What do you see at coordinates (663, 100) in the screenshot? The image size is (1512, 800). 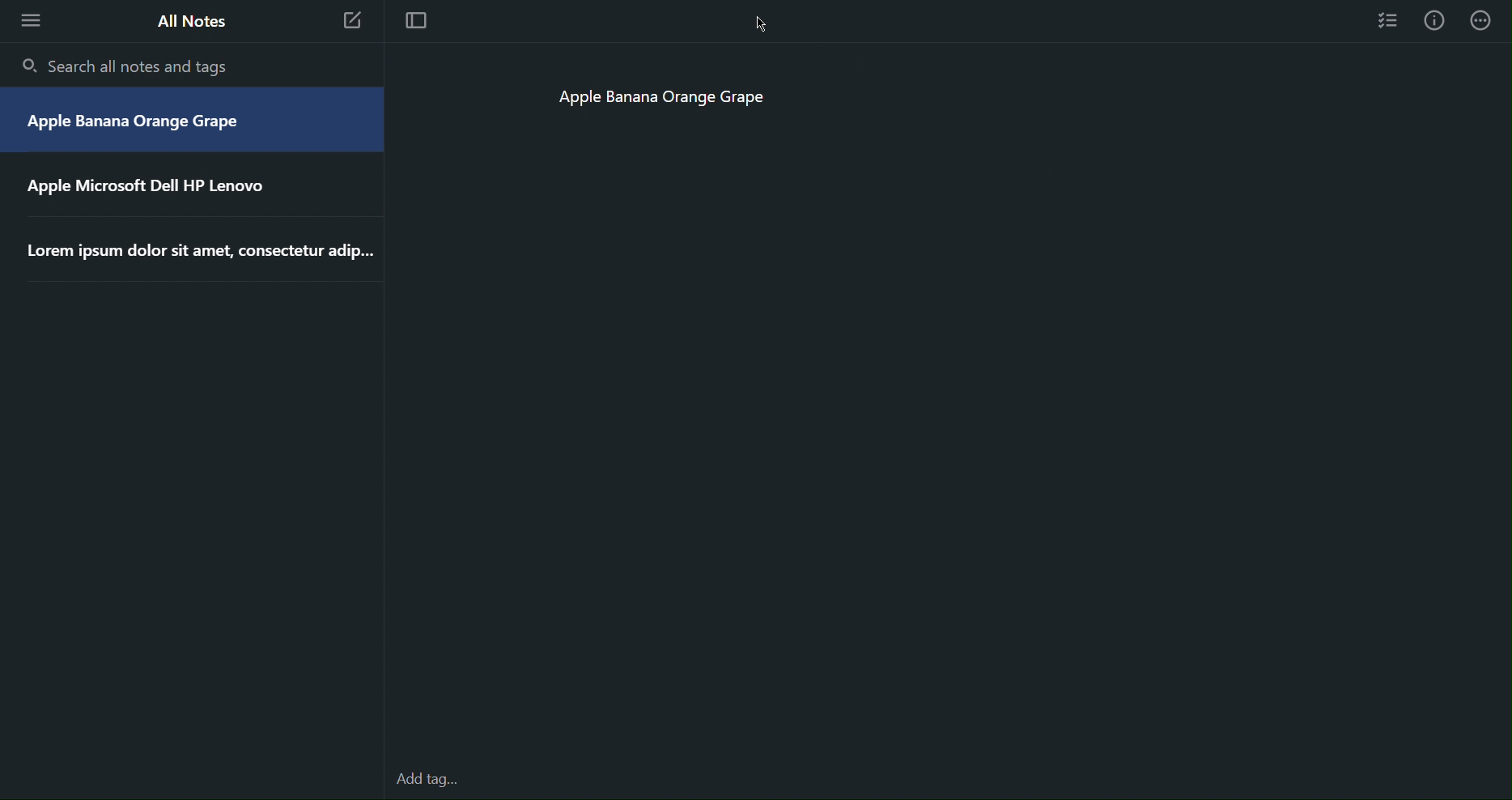 I see `Apple Banana Orange Grape` at bounding box center [663, 100].